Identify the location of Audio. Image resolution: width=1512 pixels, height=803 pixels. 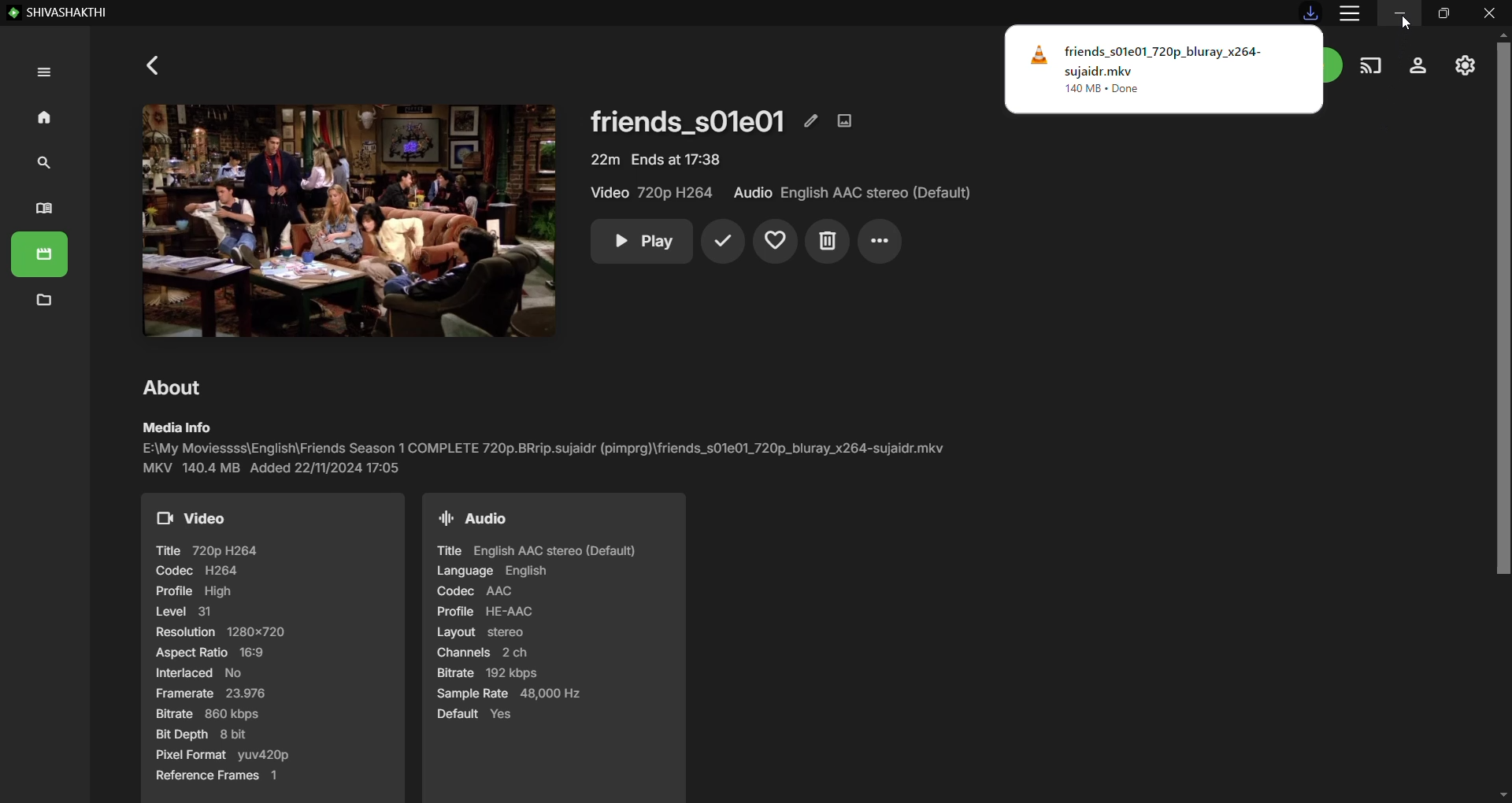
(853, 193).